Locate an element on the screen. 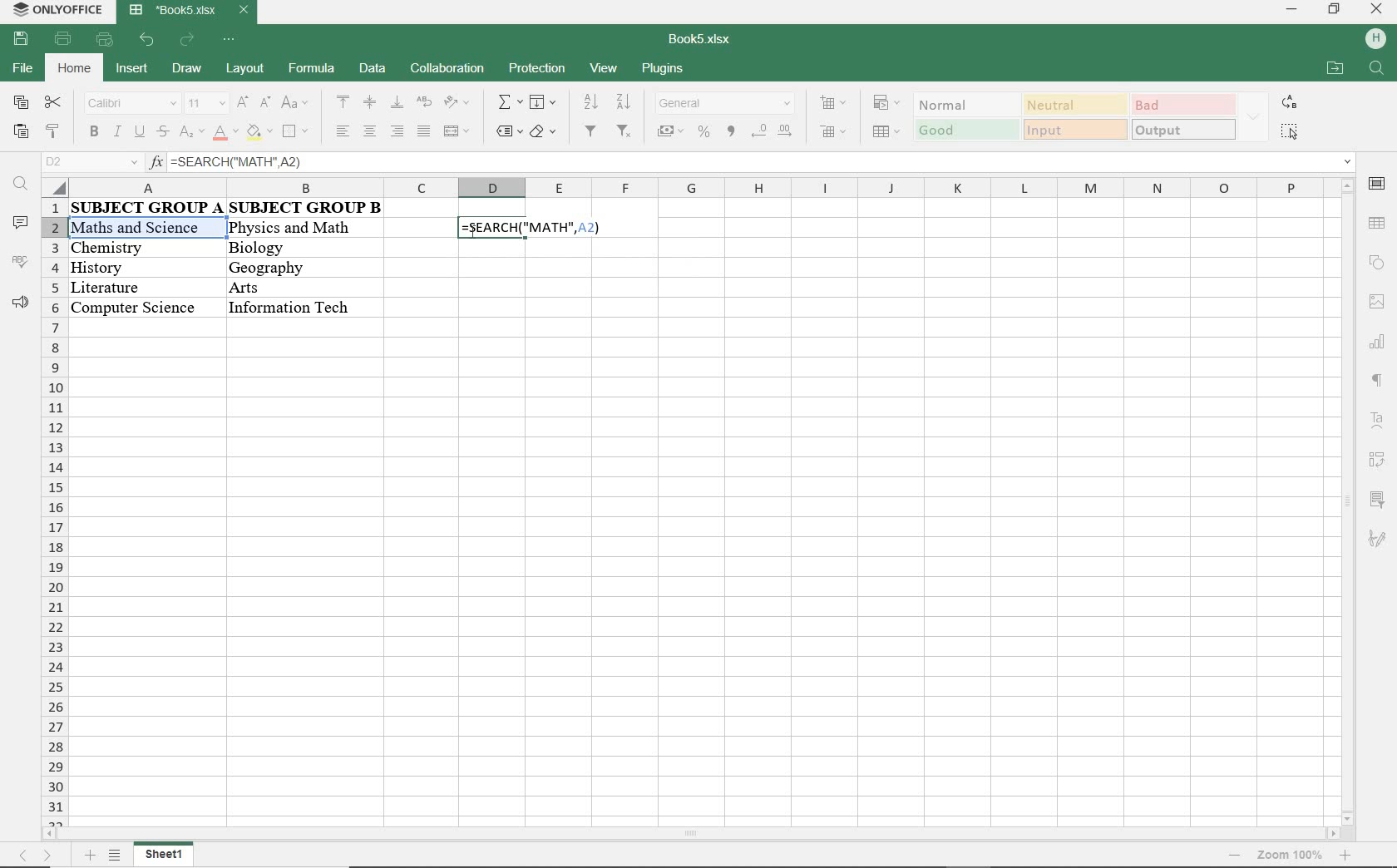 The width and height of the screenshot is (1397, 868). spell checking is located at coordinates (19, 262).